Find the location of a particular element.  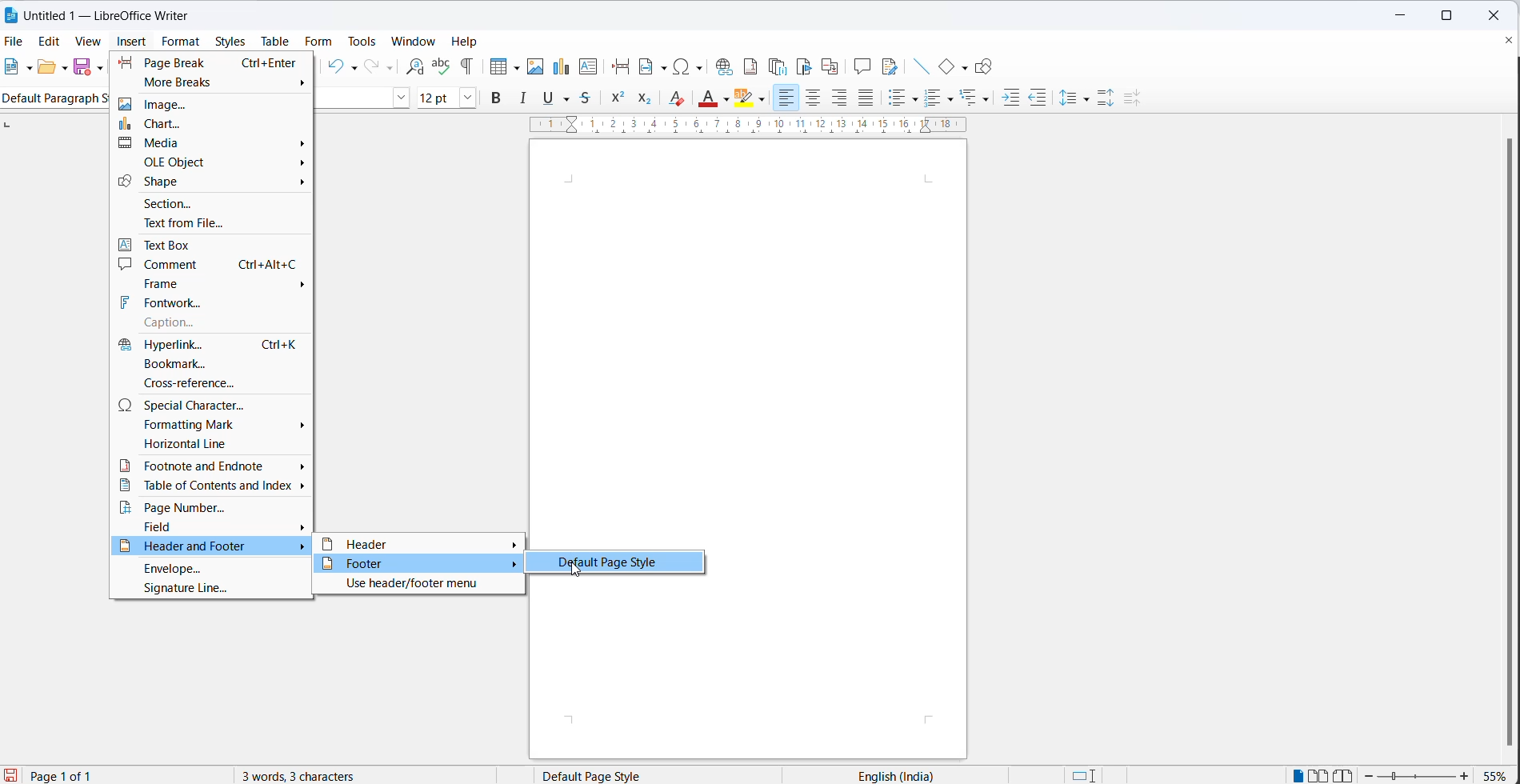

select outline format is located at coordinates (976, 99).